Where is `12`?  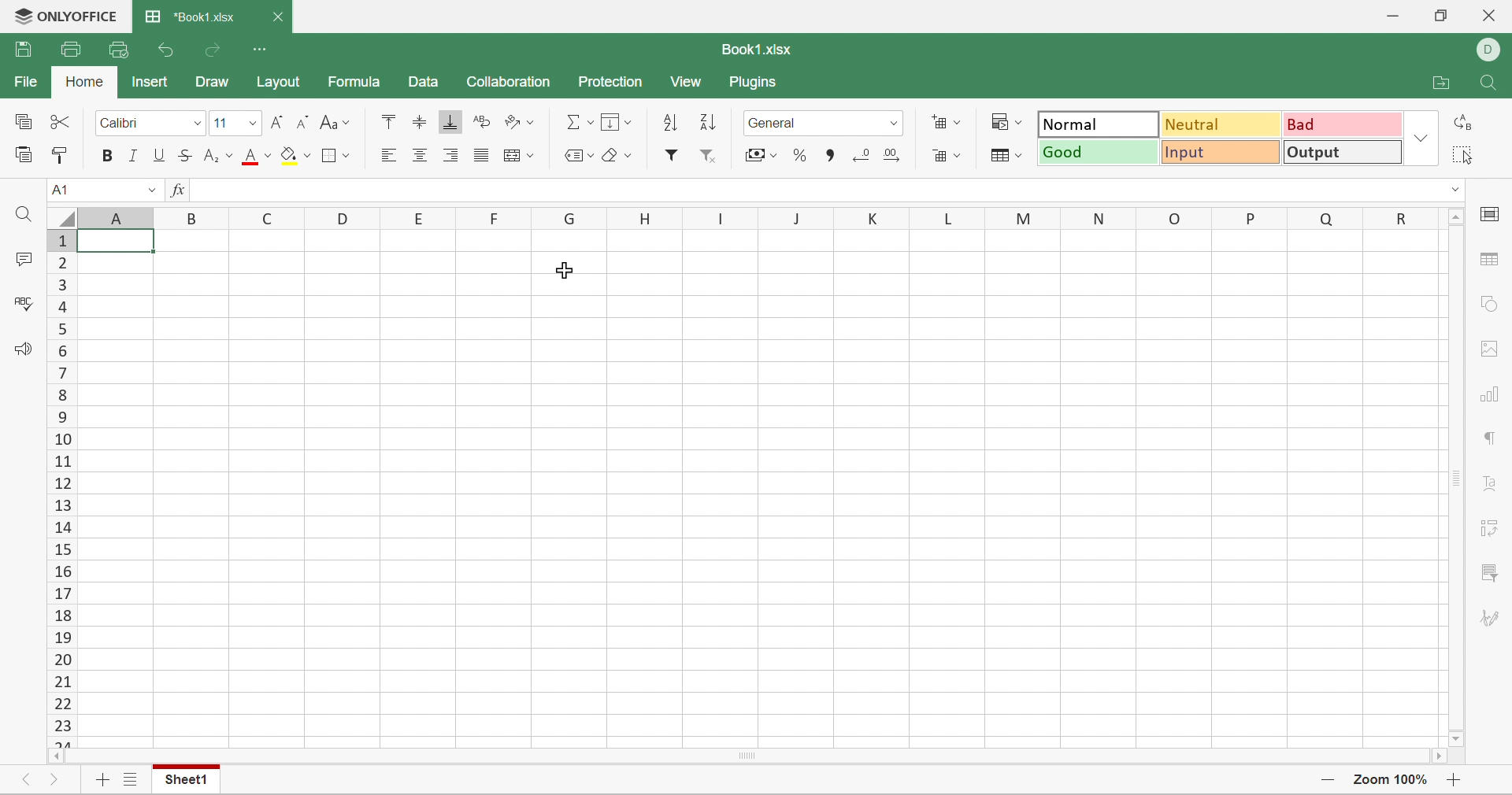
12 is located at coordinates (60, 483).